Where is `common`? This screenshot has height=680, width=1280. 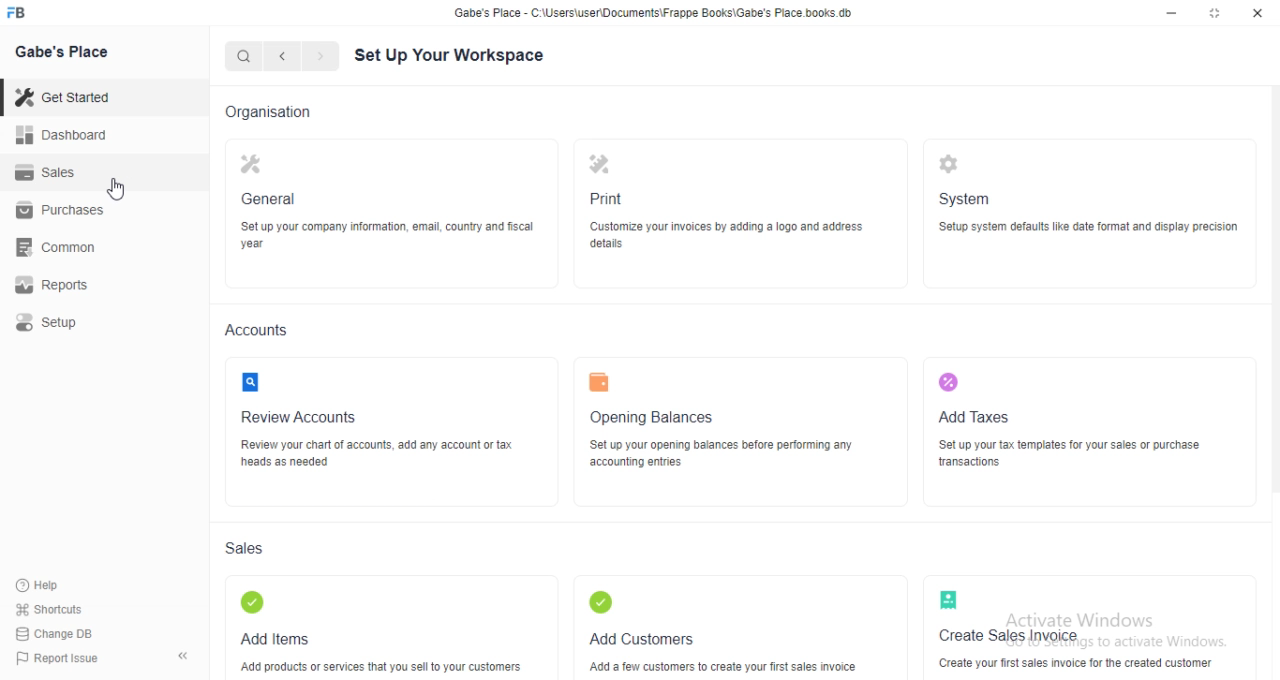
common is located at coordinates (56, 247).